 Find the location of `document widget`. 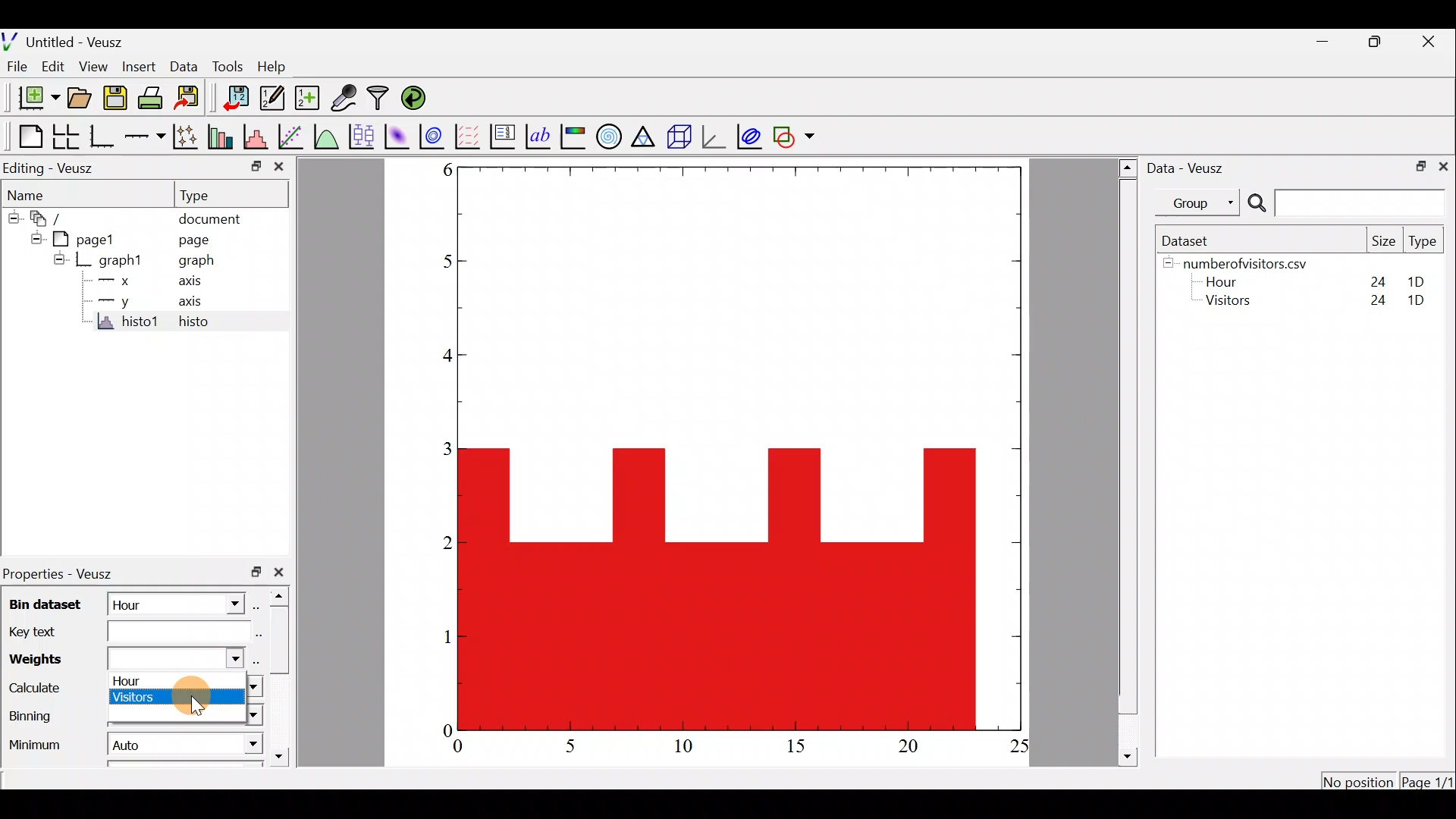

document widget is located at coordinates (49, 218).